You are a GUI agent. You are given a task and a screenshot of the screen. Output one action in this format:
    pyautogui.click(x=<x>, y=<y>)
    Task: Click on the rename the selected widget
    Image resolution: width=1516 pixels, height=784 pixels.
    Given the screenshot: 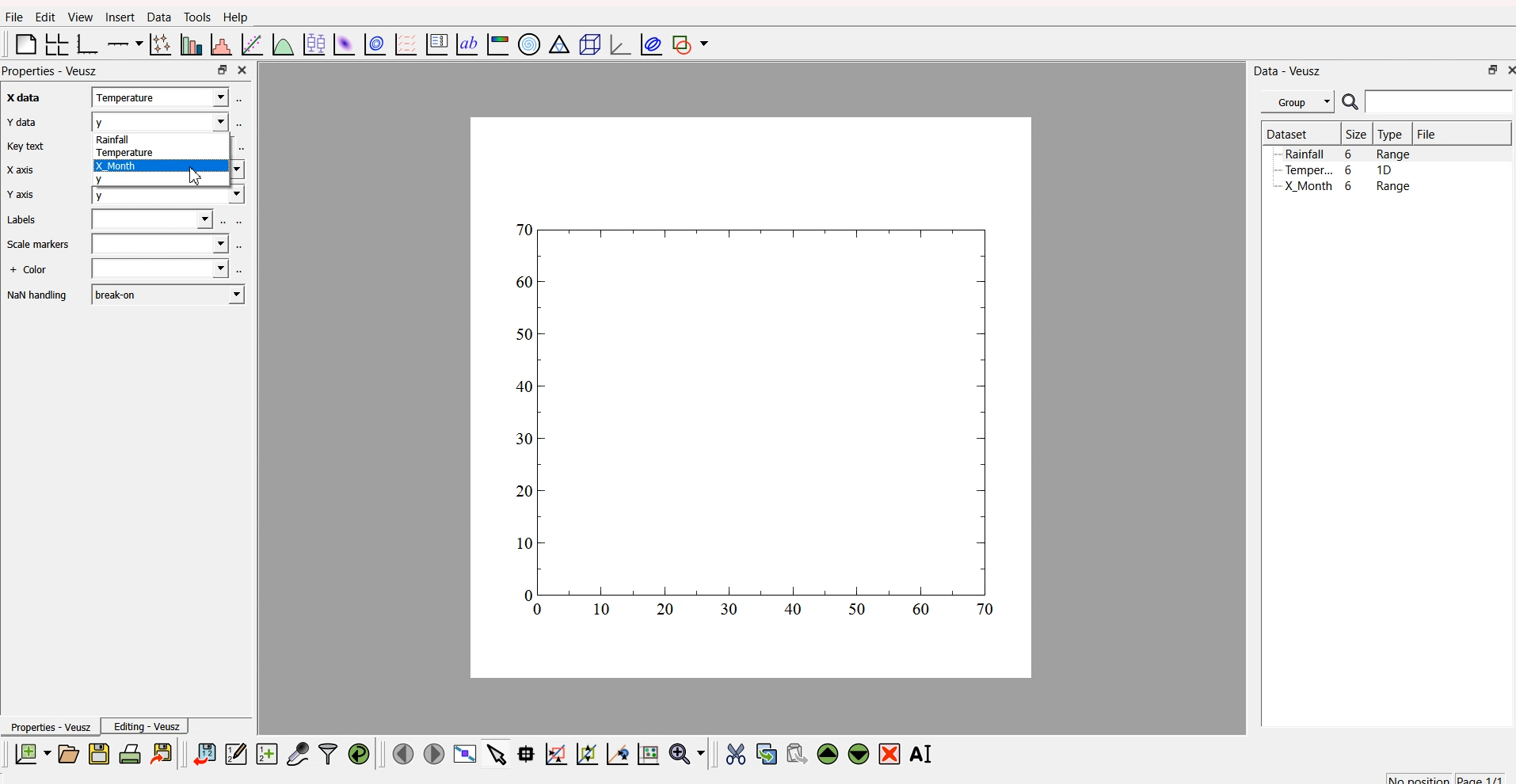 What is the action you would take?
    pyautogui.click(x=924, y=753)
    